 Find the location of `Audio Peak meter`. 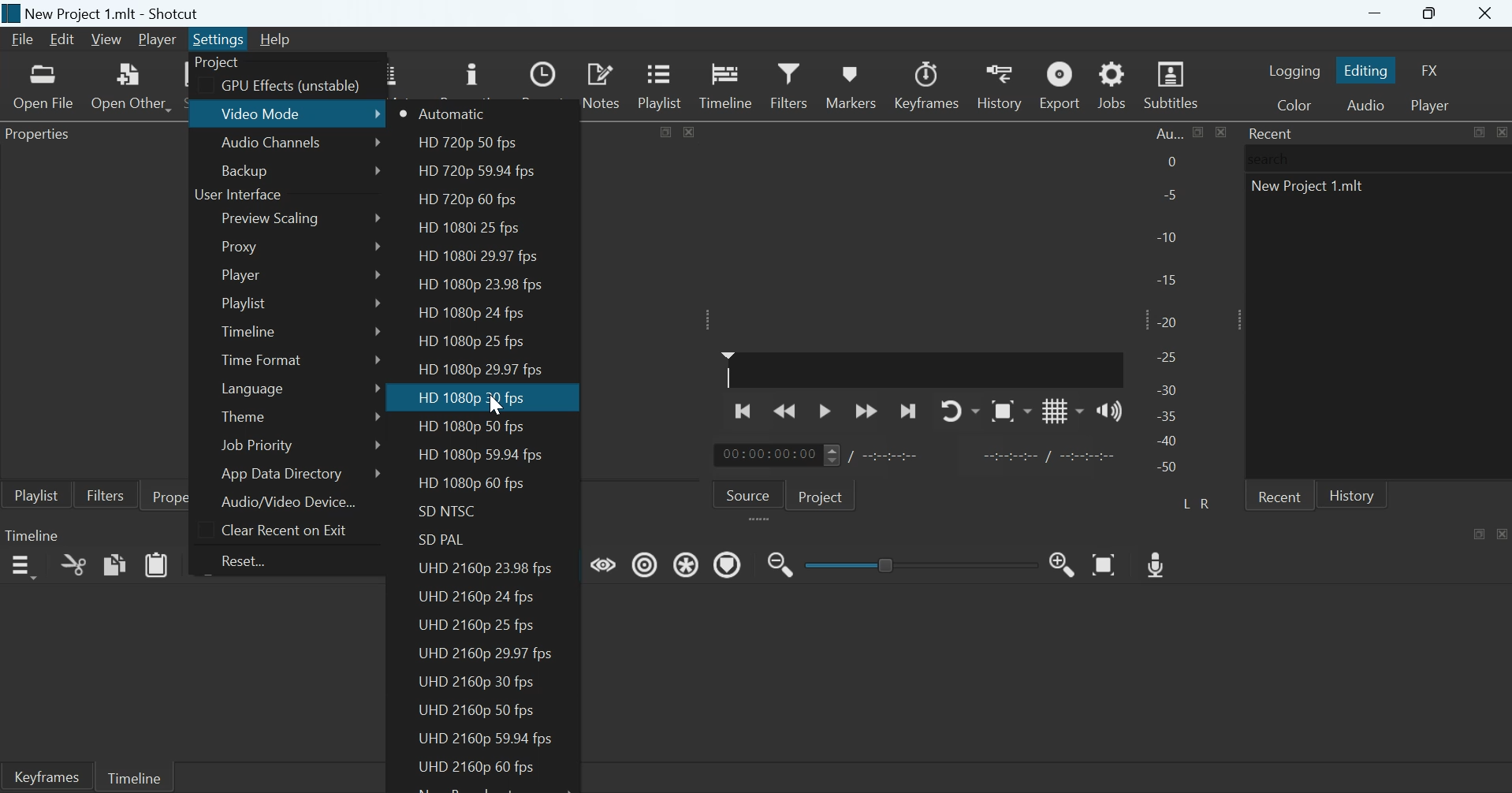

Audio Peak meter is located at coordinates (1169, 303).